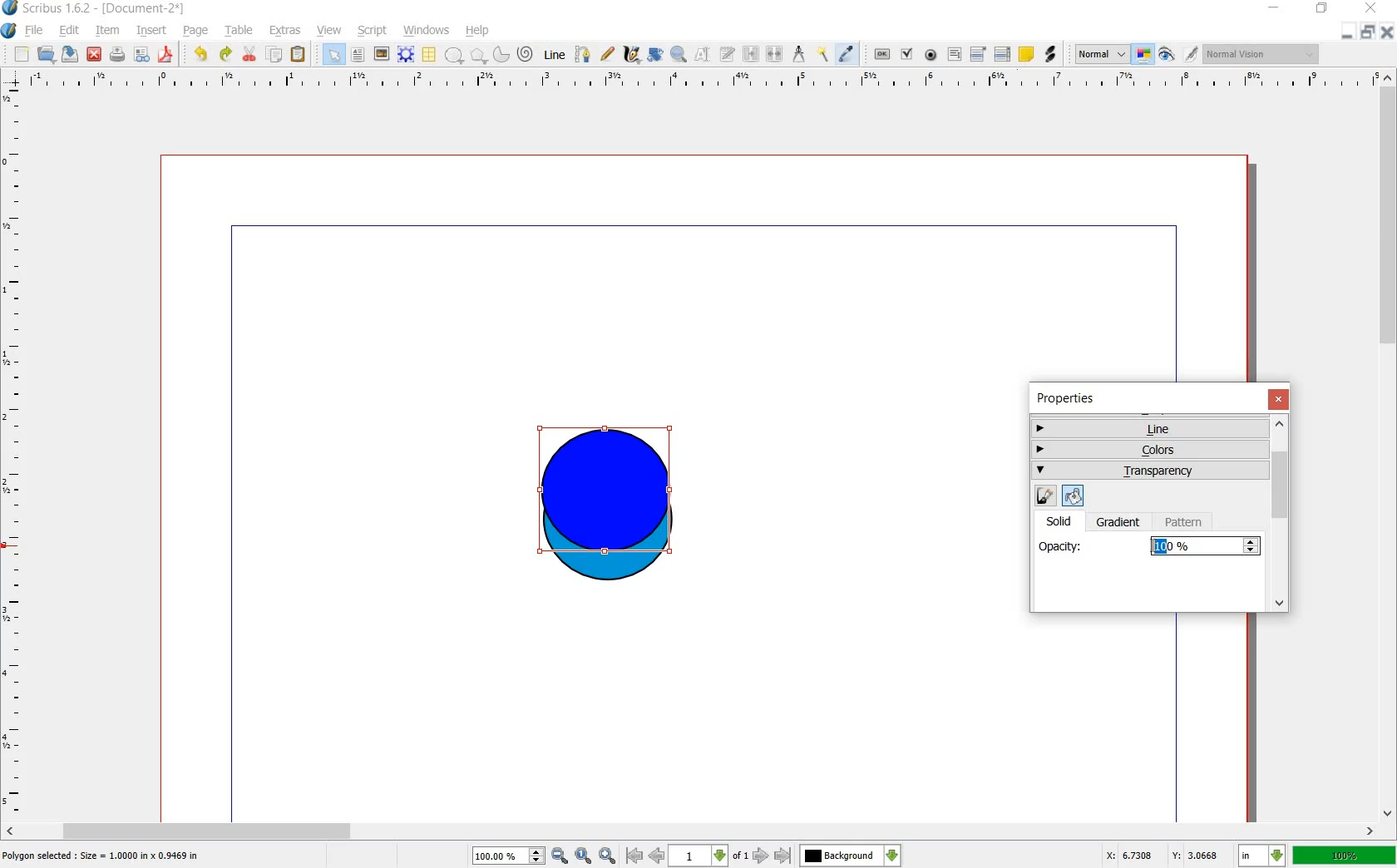 This screenshot has height=868, width=1397. What do you see at coordinates (1387, 32) in the screenshot?
I see `close` at bounding box center [1387, 32].